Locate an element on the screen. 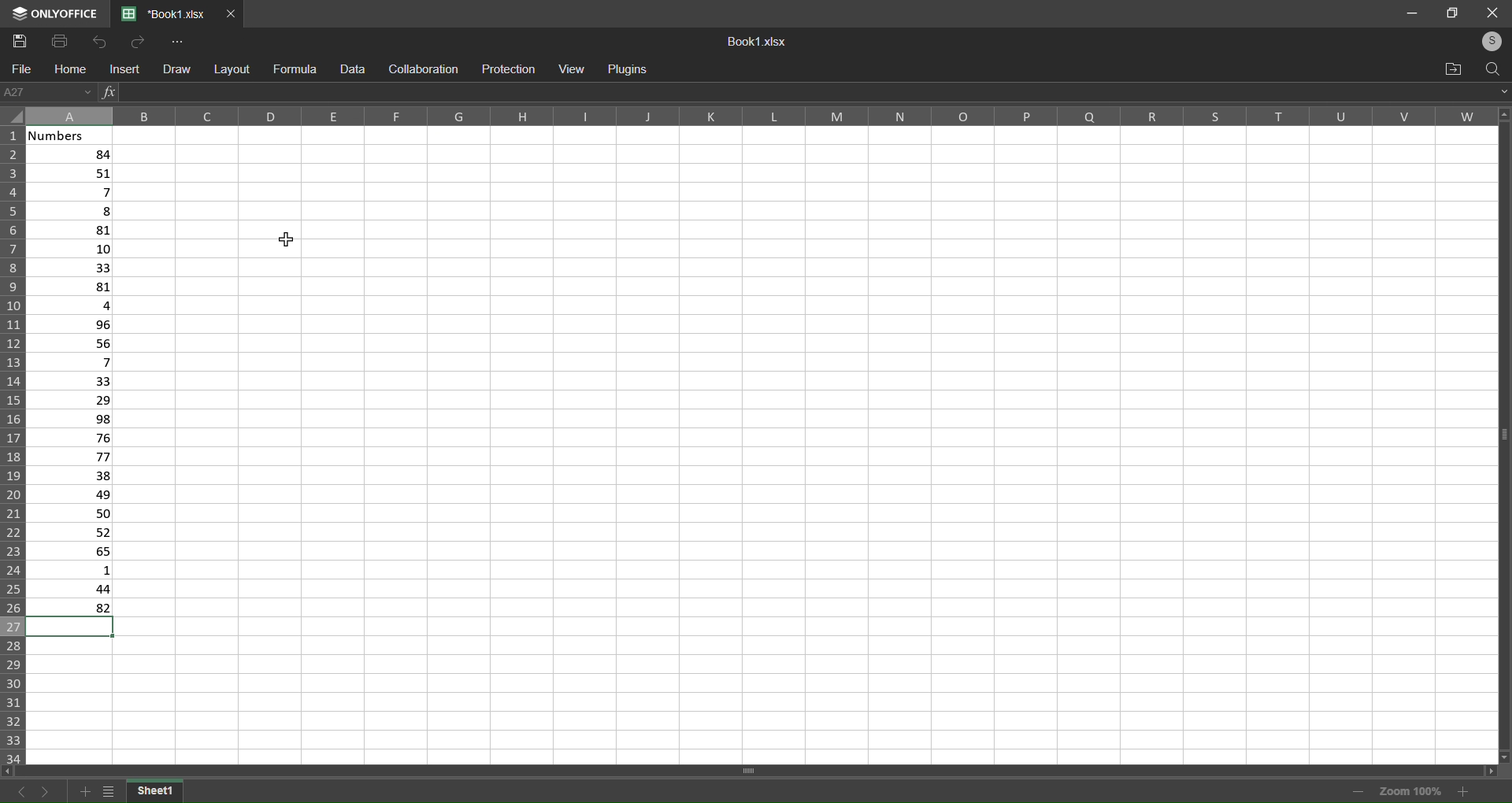  search is located at coordinates (1491, 69).